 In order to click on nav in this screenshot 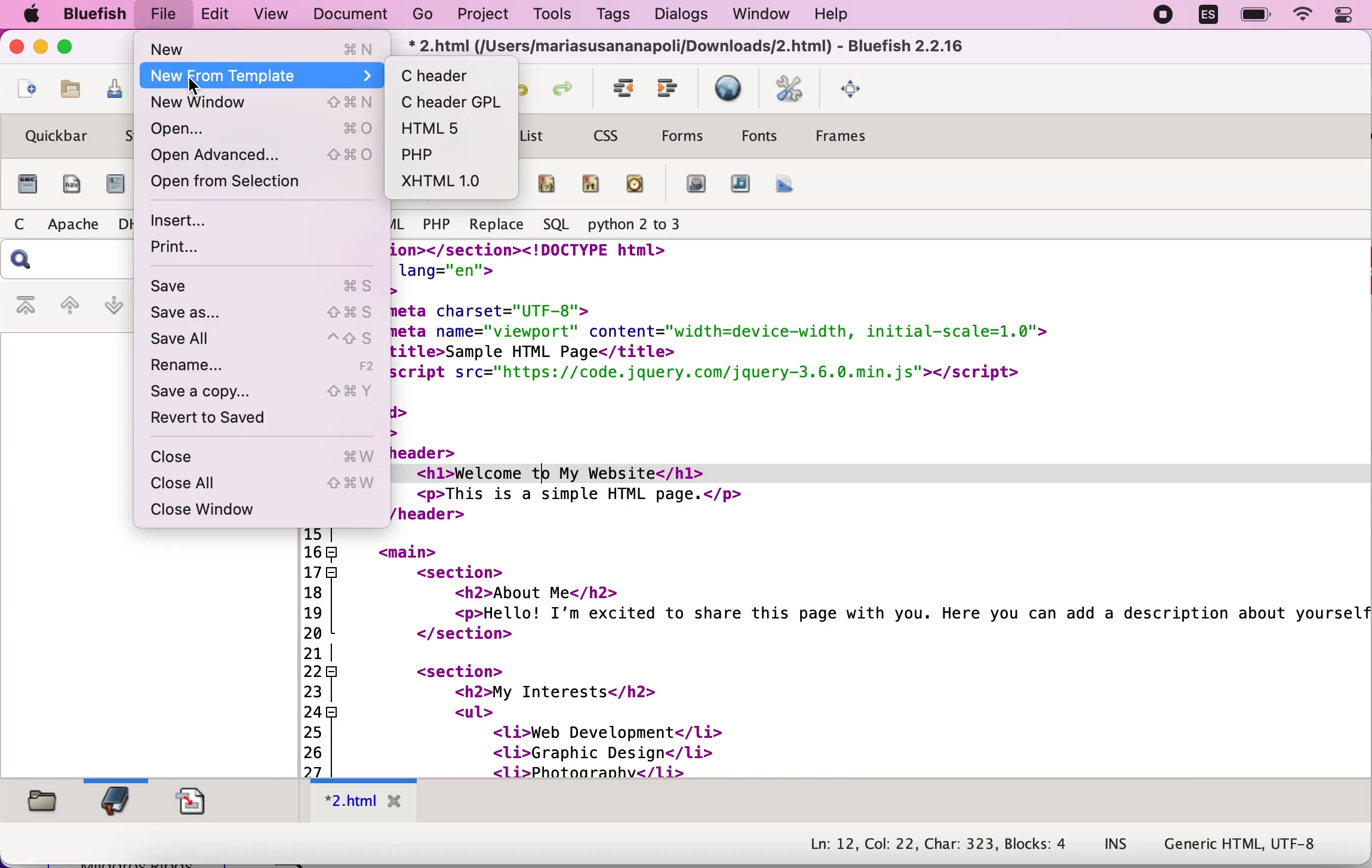, I will do `click(69, 184)`.